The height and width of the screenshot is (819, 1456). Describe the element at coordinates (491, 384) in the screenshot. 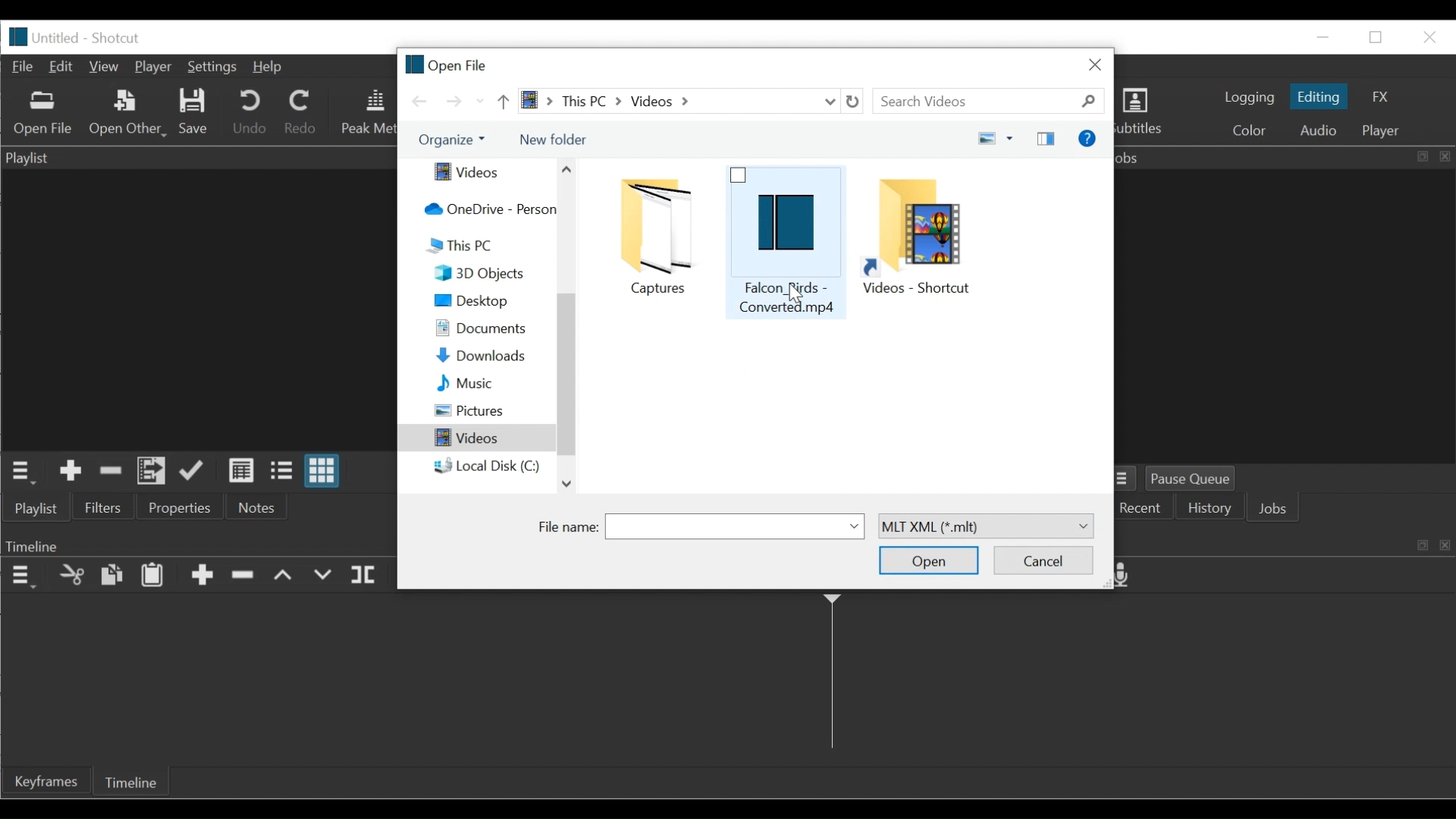

I see `Music` at that location.